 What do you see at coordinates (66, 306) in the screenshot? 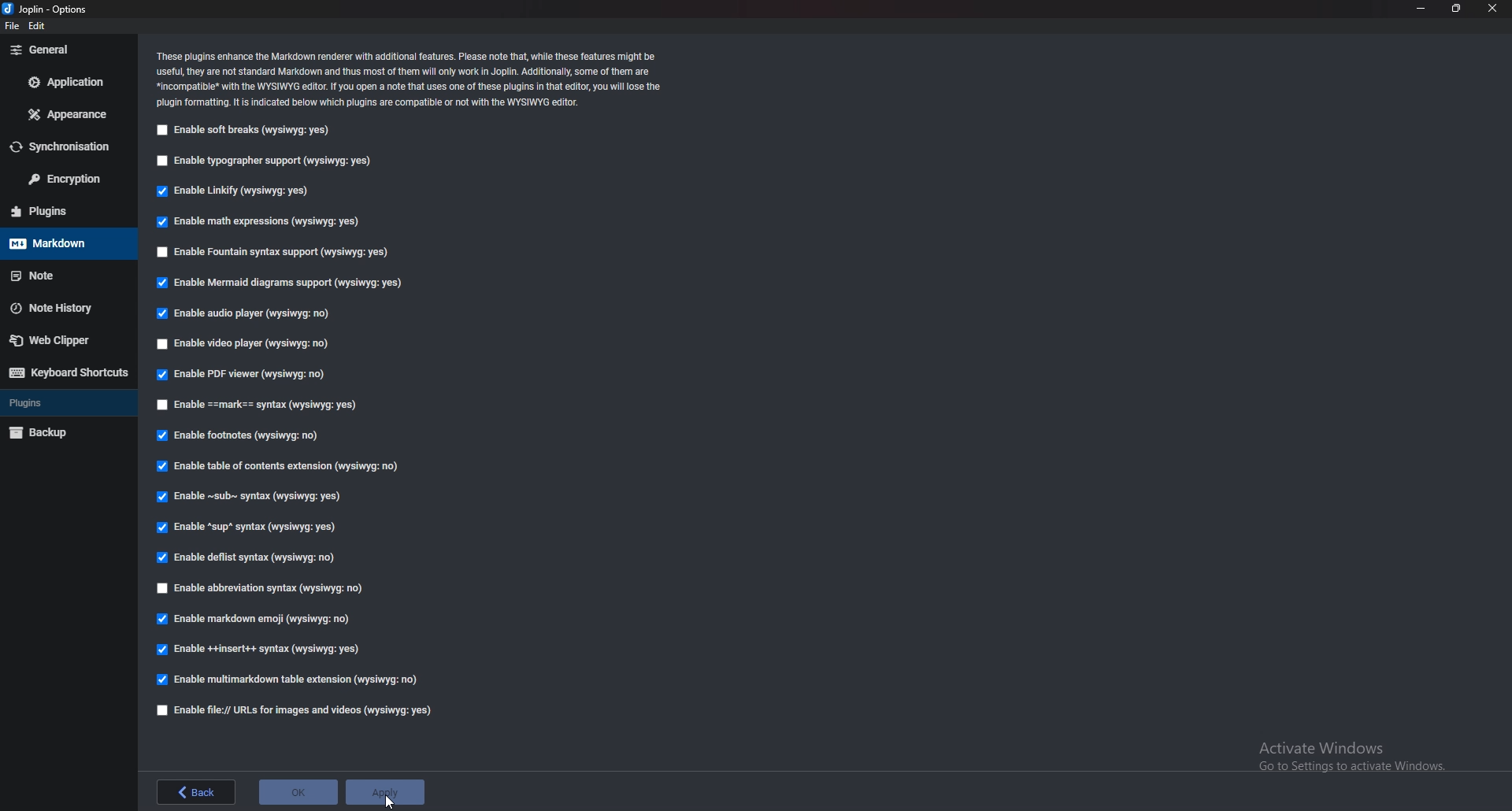
I see `note history` at bounding box center [66, 306].